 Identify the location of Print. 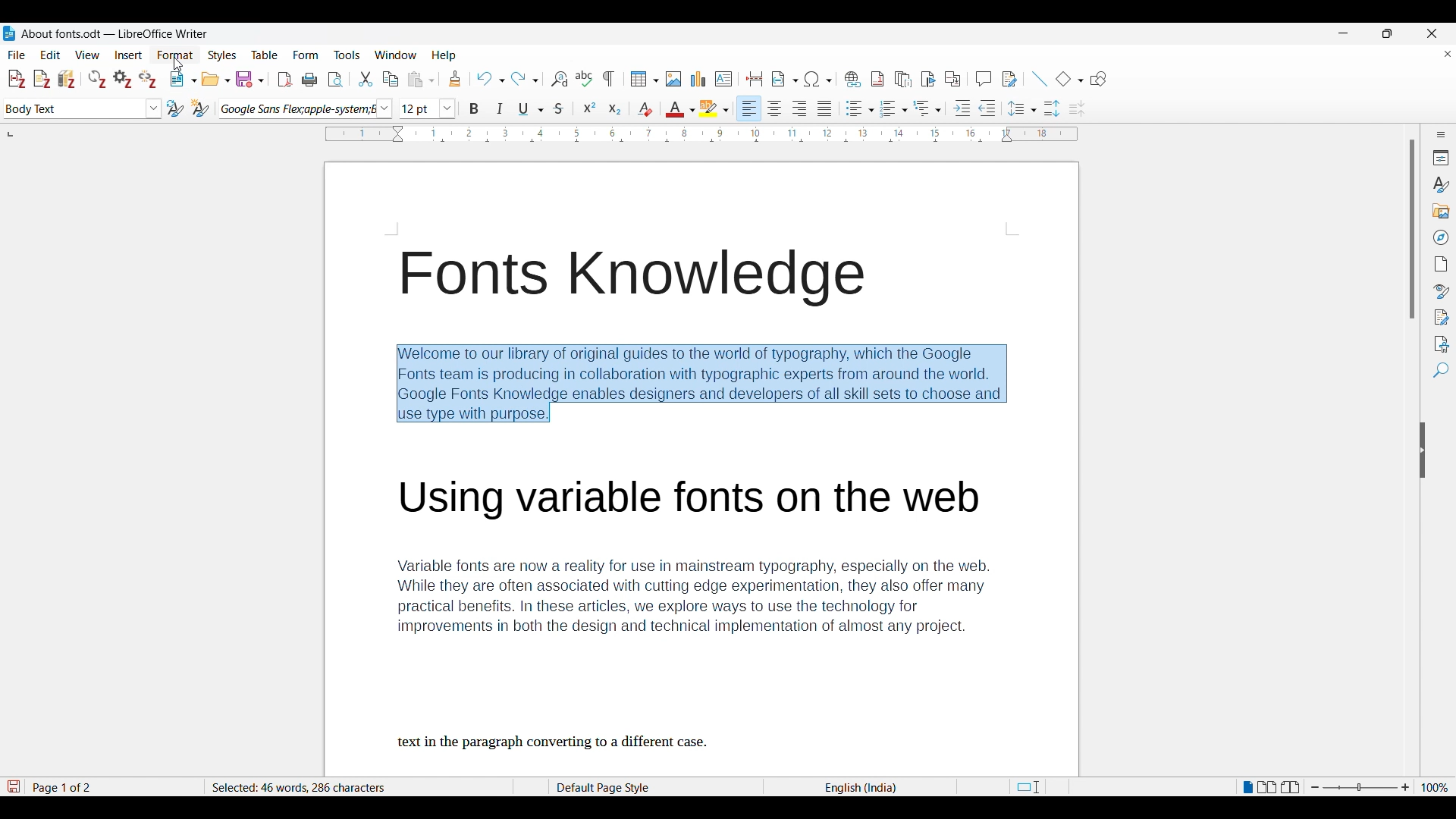
(309, 80).